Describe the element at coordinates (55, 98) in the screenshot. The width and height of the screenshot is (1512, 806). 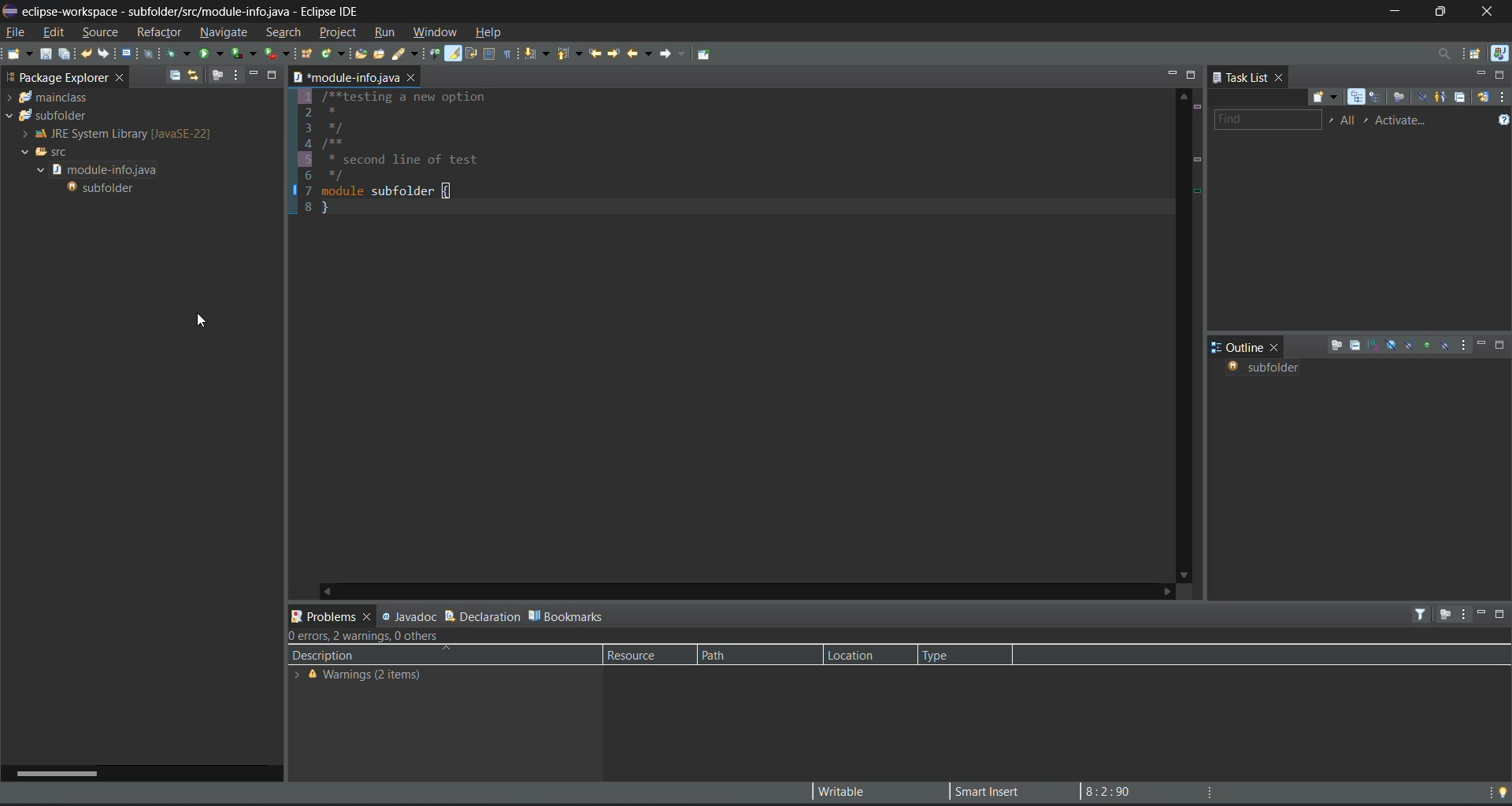
I see `mainclass` at that location.